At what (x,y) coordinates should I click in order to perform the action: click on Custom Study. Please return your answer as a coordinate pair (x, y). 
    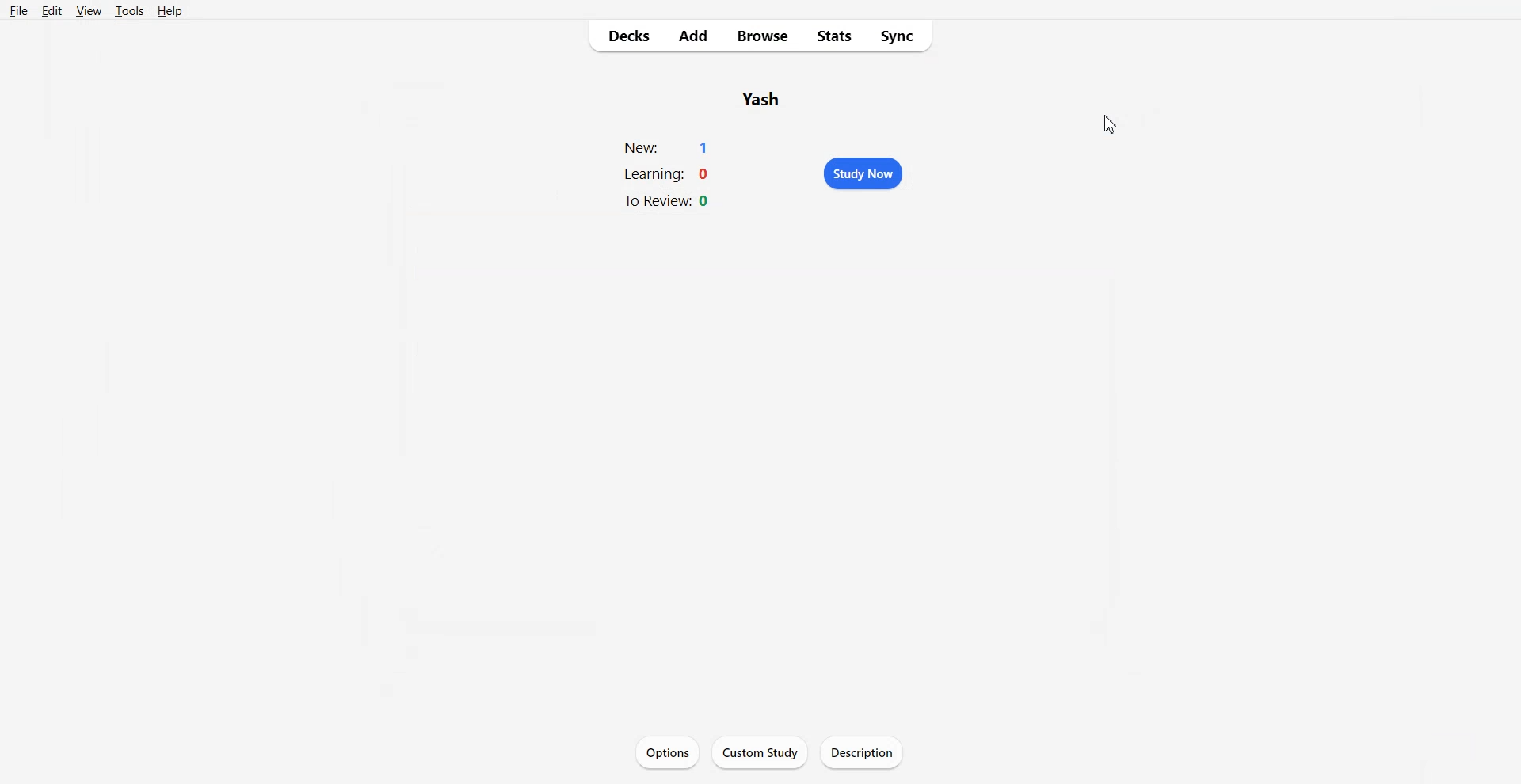
    Looking at the image, I should click on (760, 752).